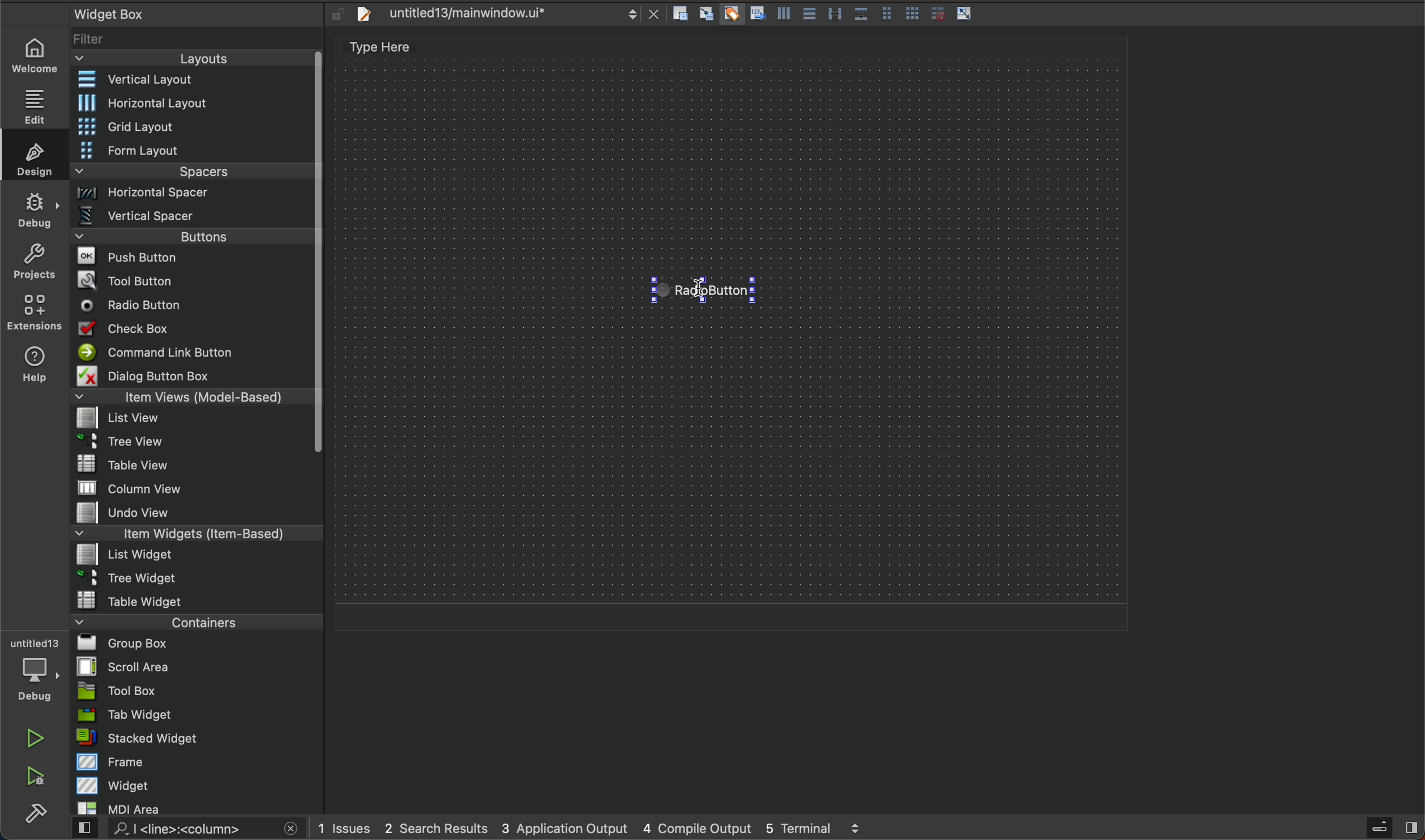 The height and width of the screenshot is (840, 1425). Describe the element at coordinates (194, 175) in the screenshot. I see `spacers` at that location.